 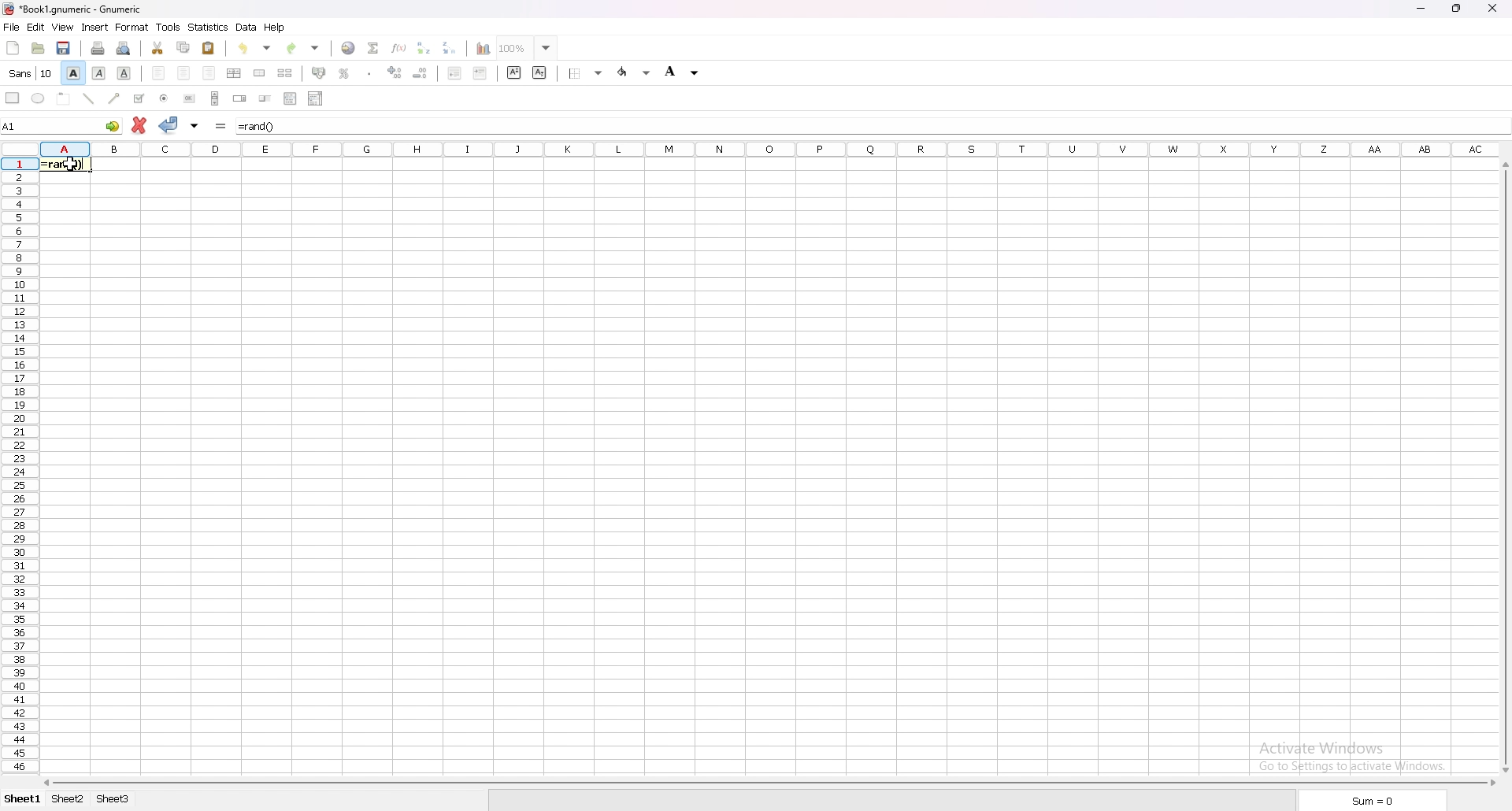 What do you see at coordinates (139, 98) in the screenshot?
I see `tickbox` at bounding box center [139, 98].